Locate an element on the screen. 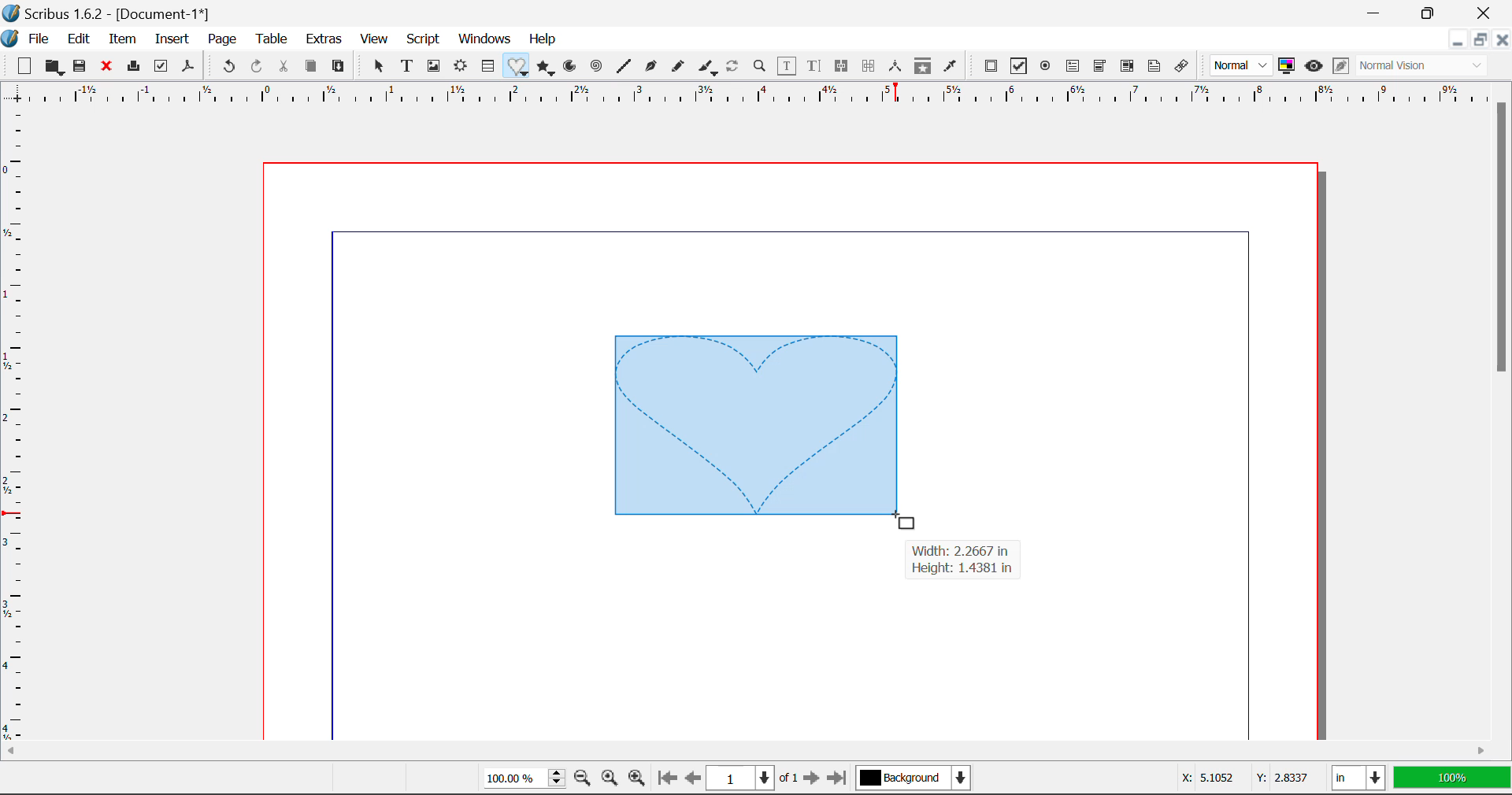 The width and height of the screenshot is (1512, 795). Preview Mode is located at coordinates (1314, 68).